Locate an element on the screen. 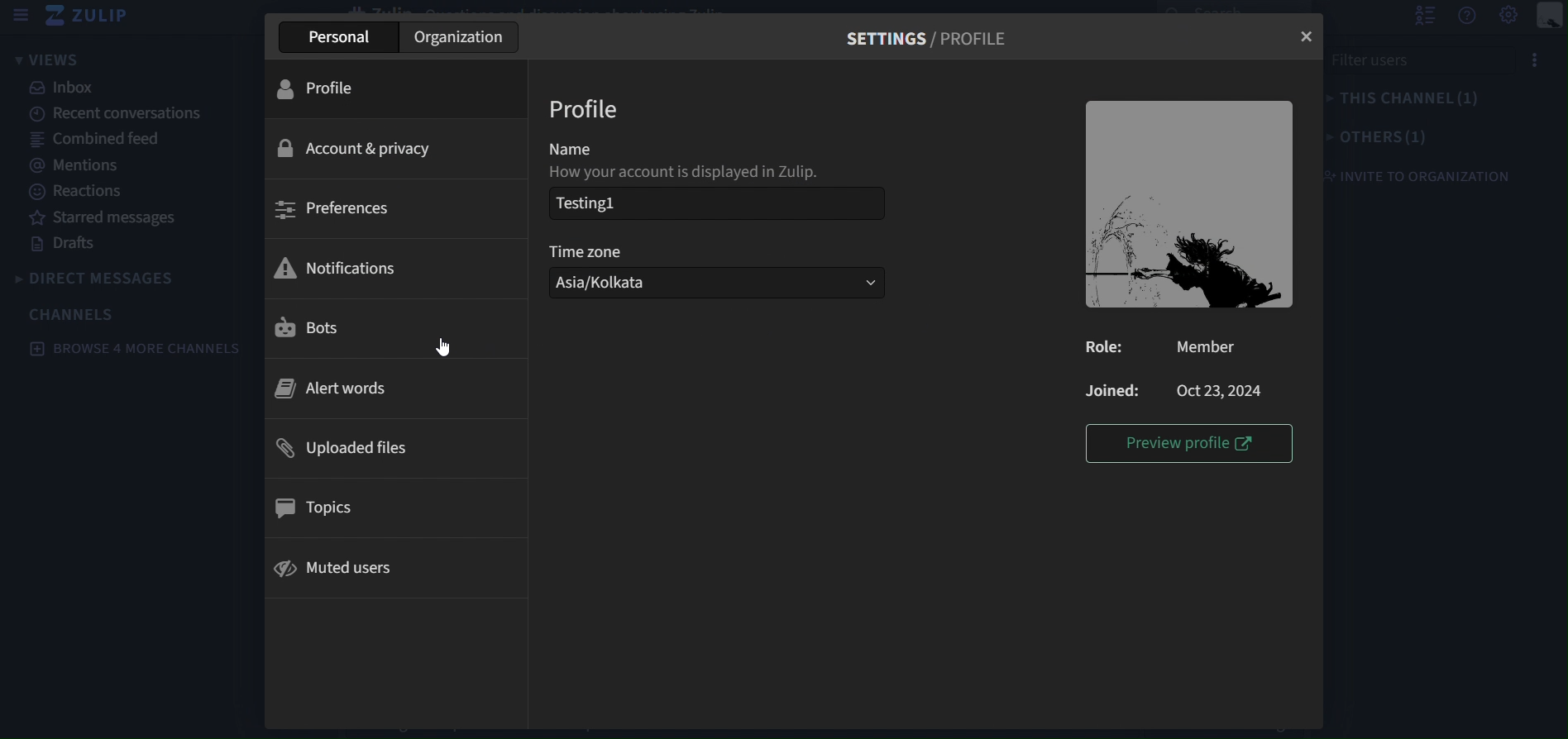 Image resolution: width=1568 pixels, height=739 pixels. filter users is located at coordinates (1432, 65).